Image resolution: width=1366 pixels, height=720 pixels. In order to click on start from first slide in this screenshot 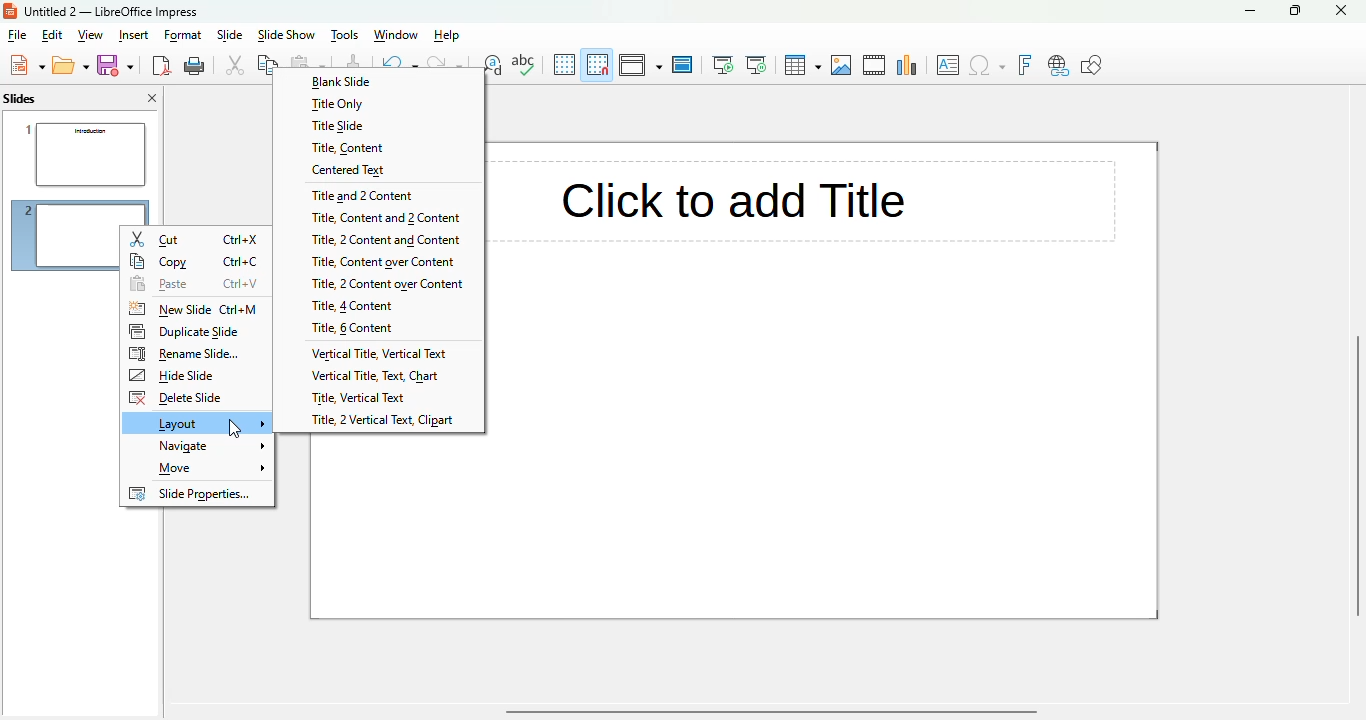, I will do `click(723, 65)`.